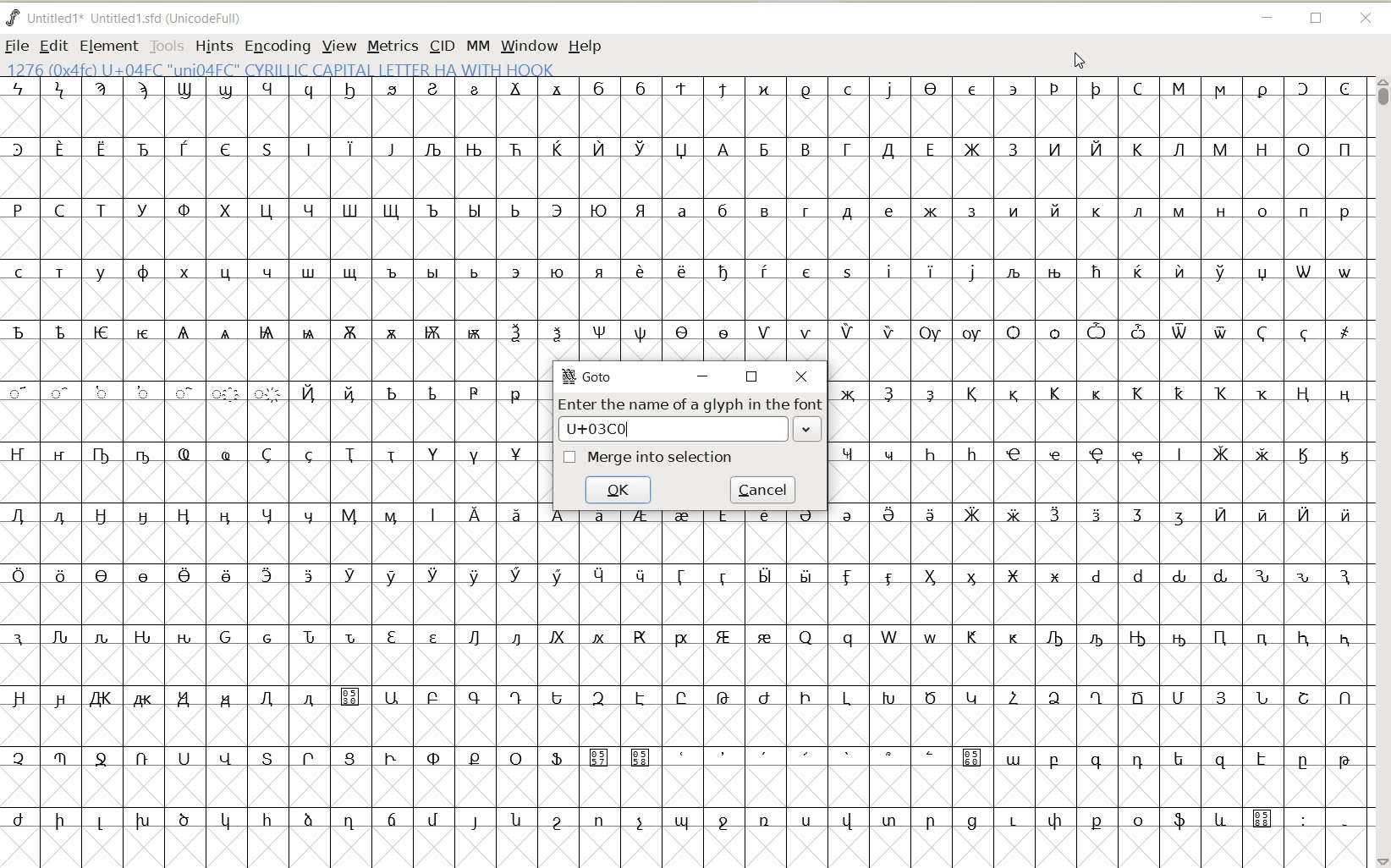 The image size is (1391, 868). What do you see at coordinates (701, 377) in the screenshot?
I see `minimize` at bounding box center [701, 377].